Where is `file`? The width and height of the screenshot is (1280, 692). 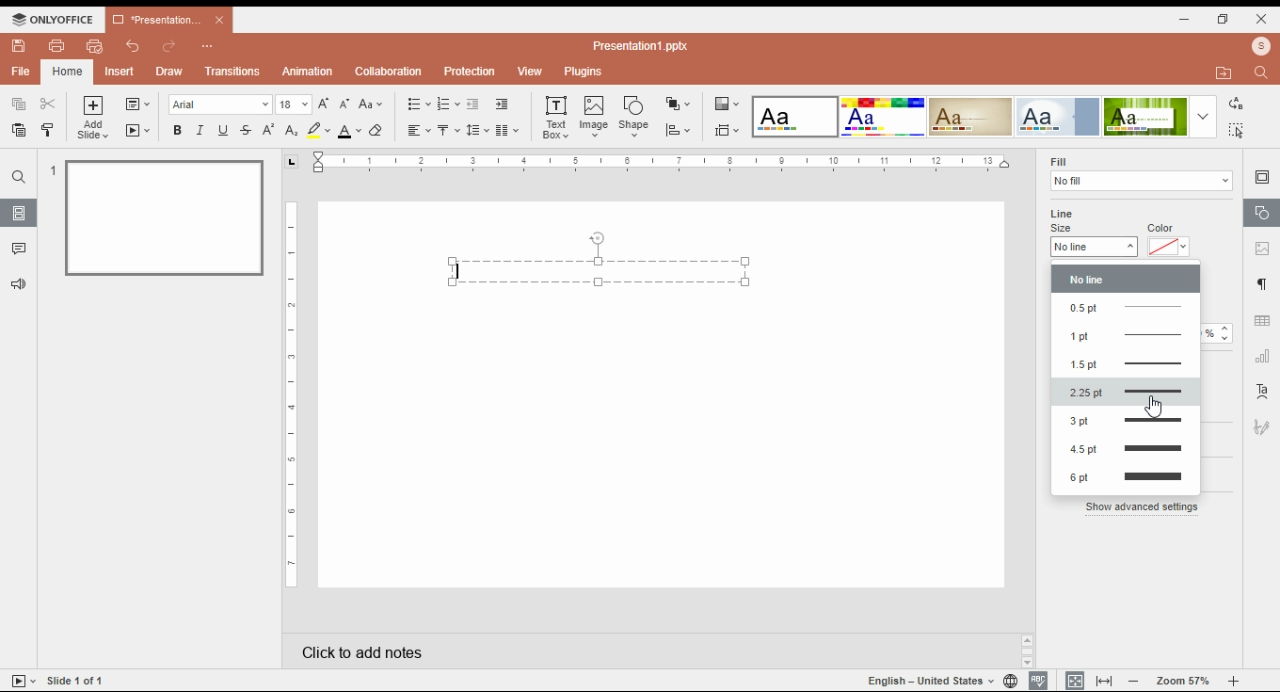
file is located at coordinates (20, 71).